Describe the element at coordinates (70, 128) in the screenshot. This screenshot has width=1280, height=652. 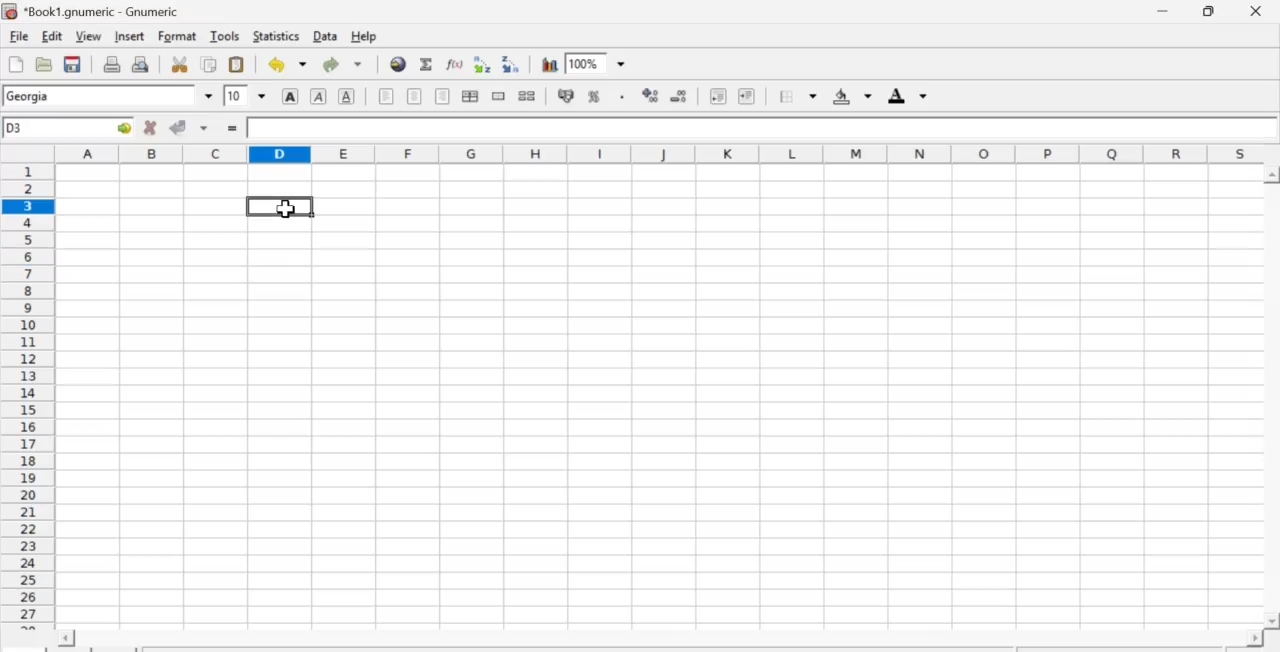
I see `Active cell` at that location.